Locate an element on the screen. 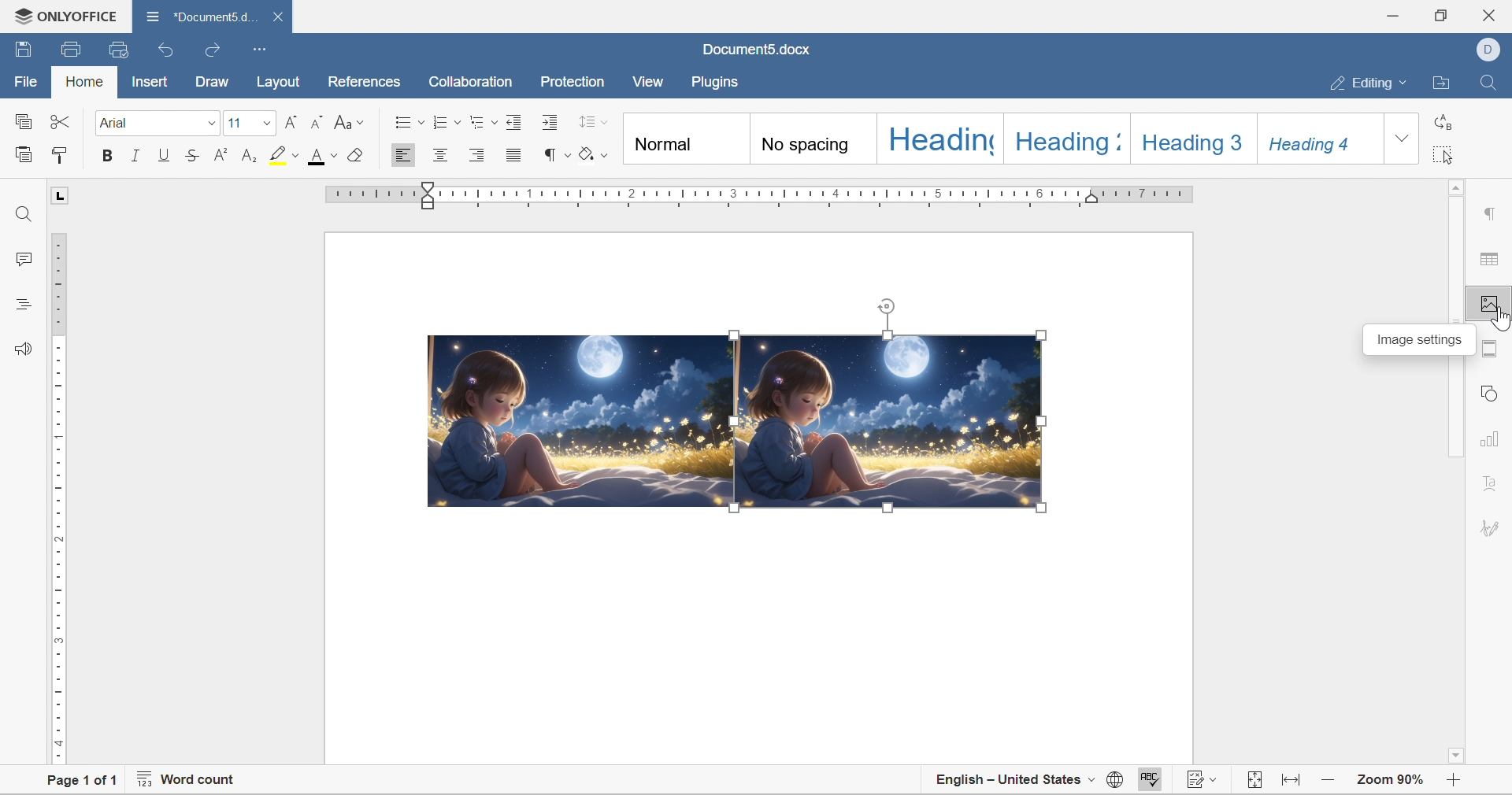  ONLYOFFICE is located at coordinates (66, 16).